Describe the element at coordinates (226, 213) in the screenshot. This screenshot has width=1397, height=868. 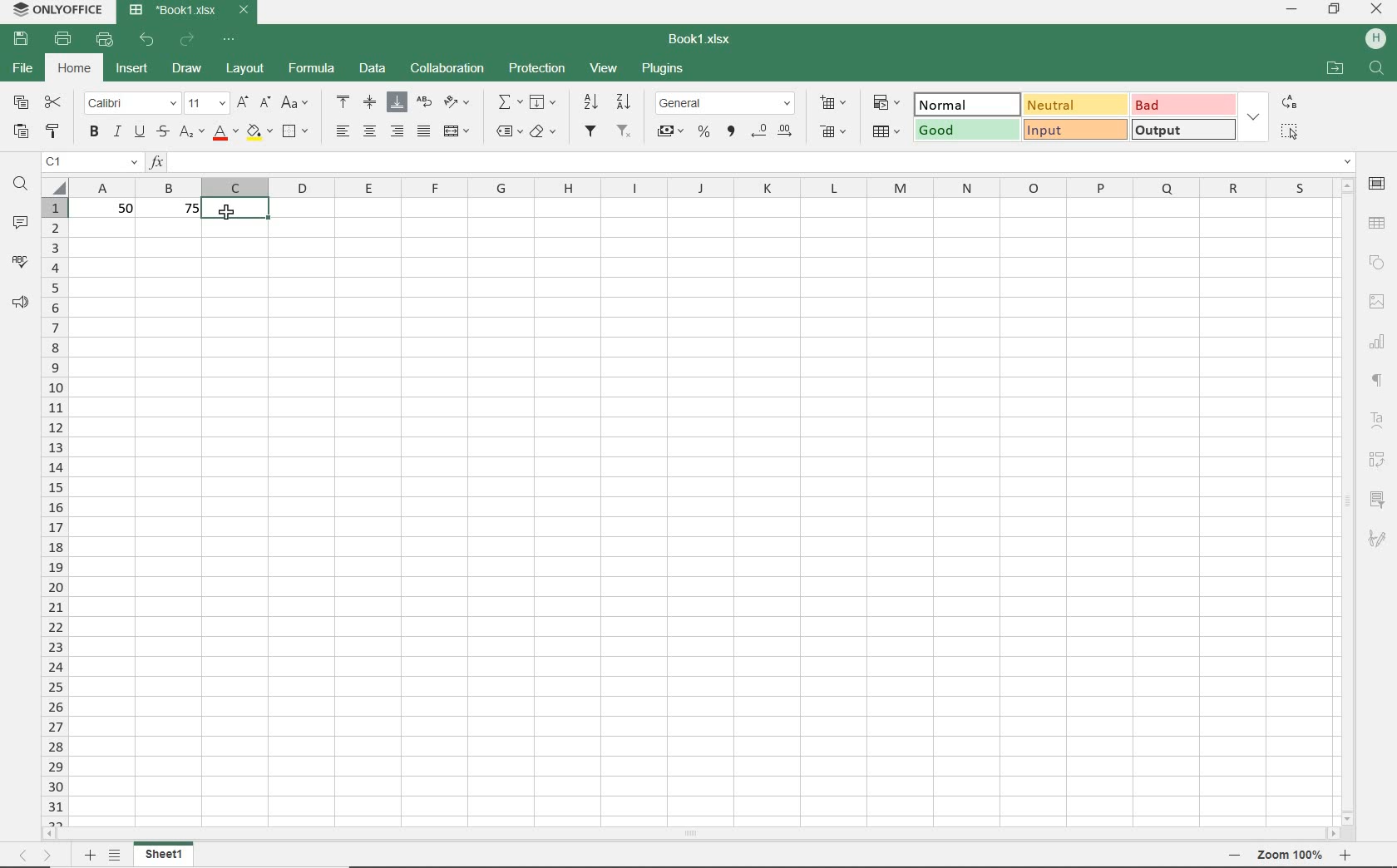
I see `cursor` at that location.